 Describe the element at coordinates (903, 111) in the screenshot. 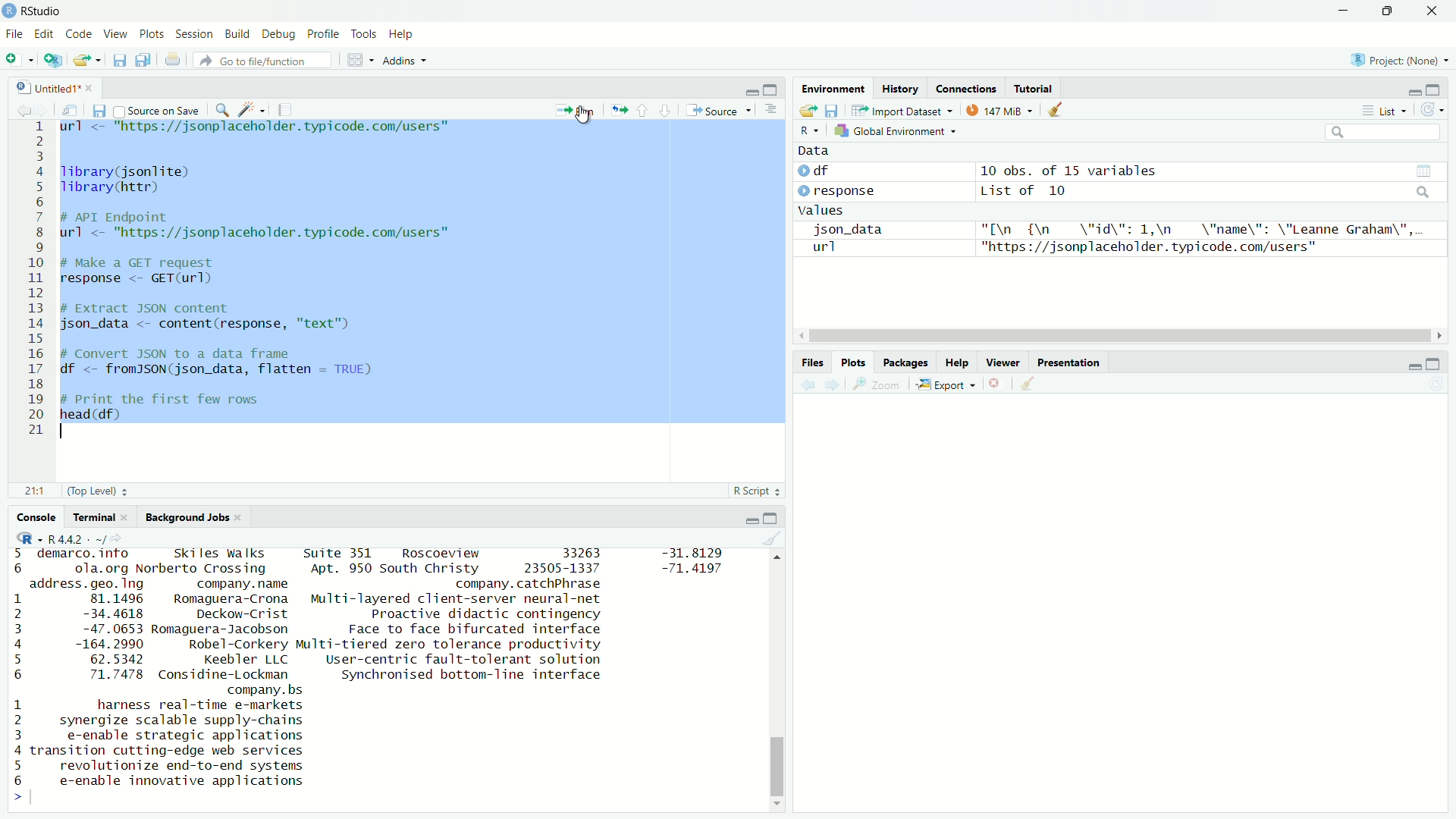

I see `Import Dataset ` at that location.